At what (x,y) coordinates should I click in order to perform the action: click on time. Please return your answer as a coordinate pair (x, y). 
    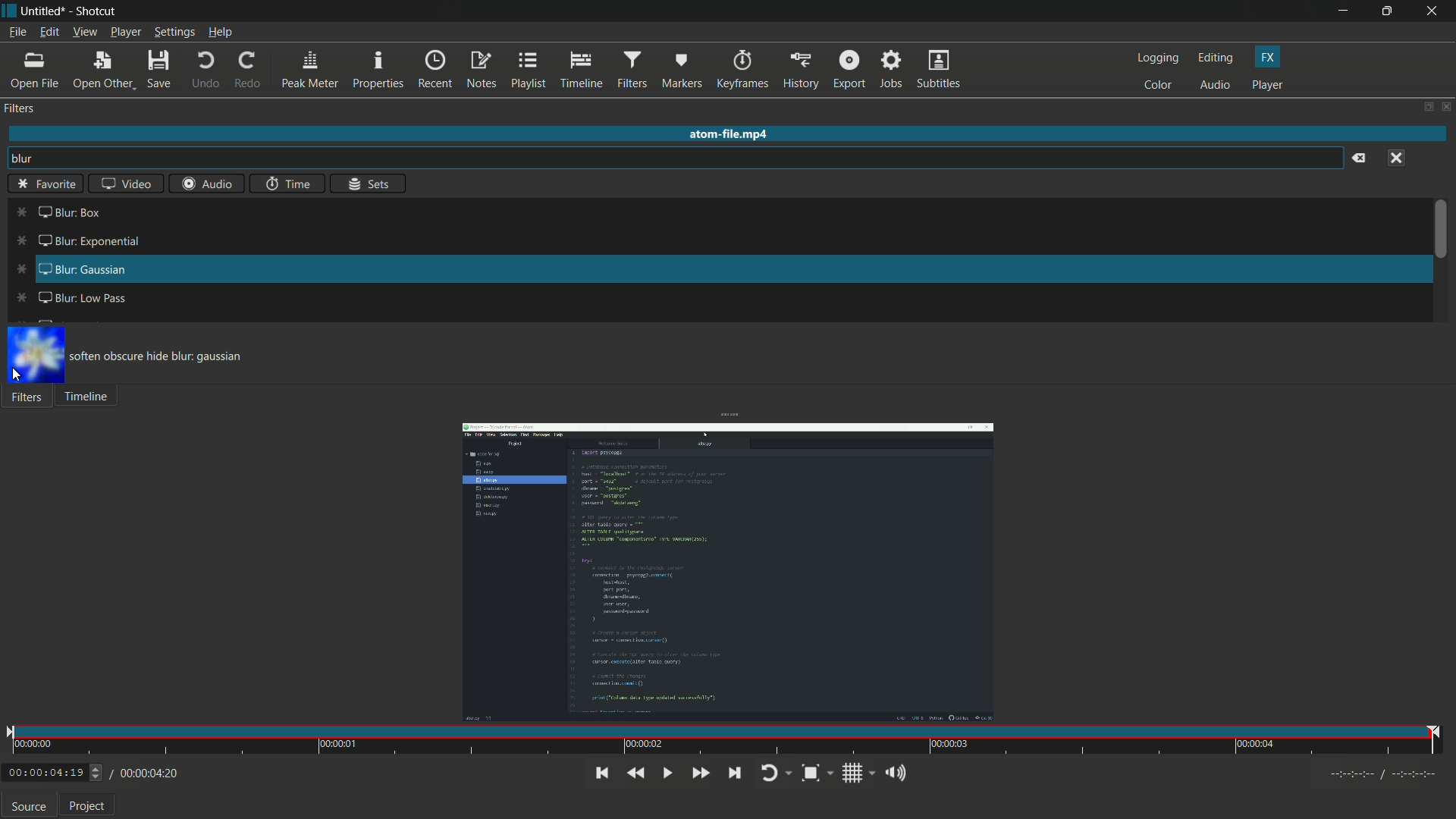
    Looking at the image, I should click on (726, 741).